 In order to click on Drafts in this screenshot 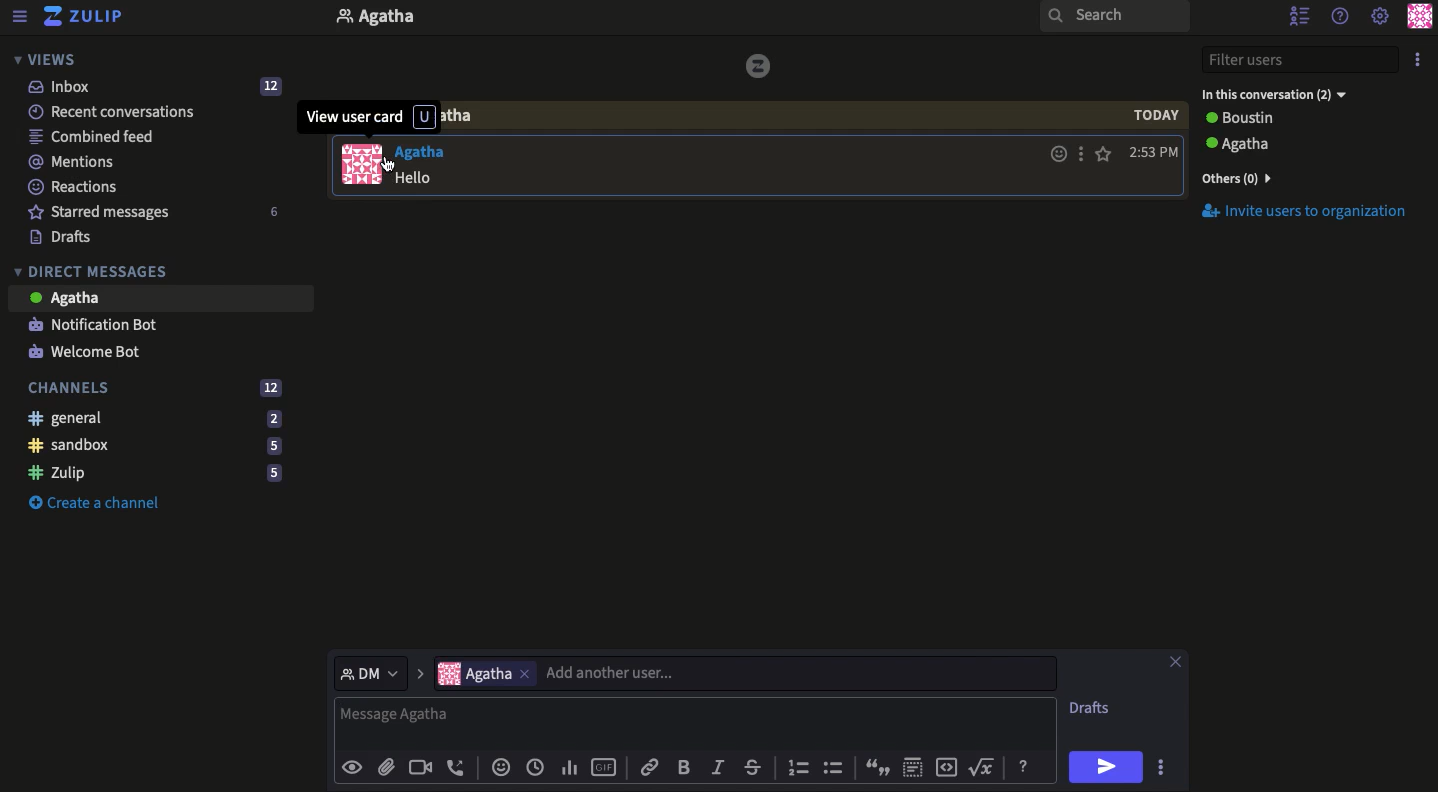, I will do `click(1091, 707)`.